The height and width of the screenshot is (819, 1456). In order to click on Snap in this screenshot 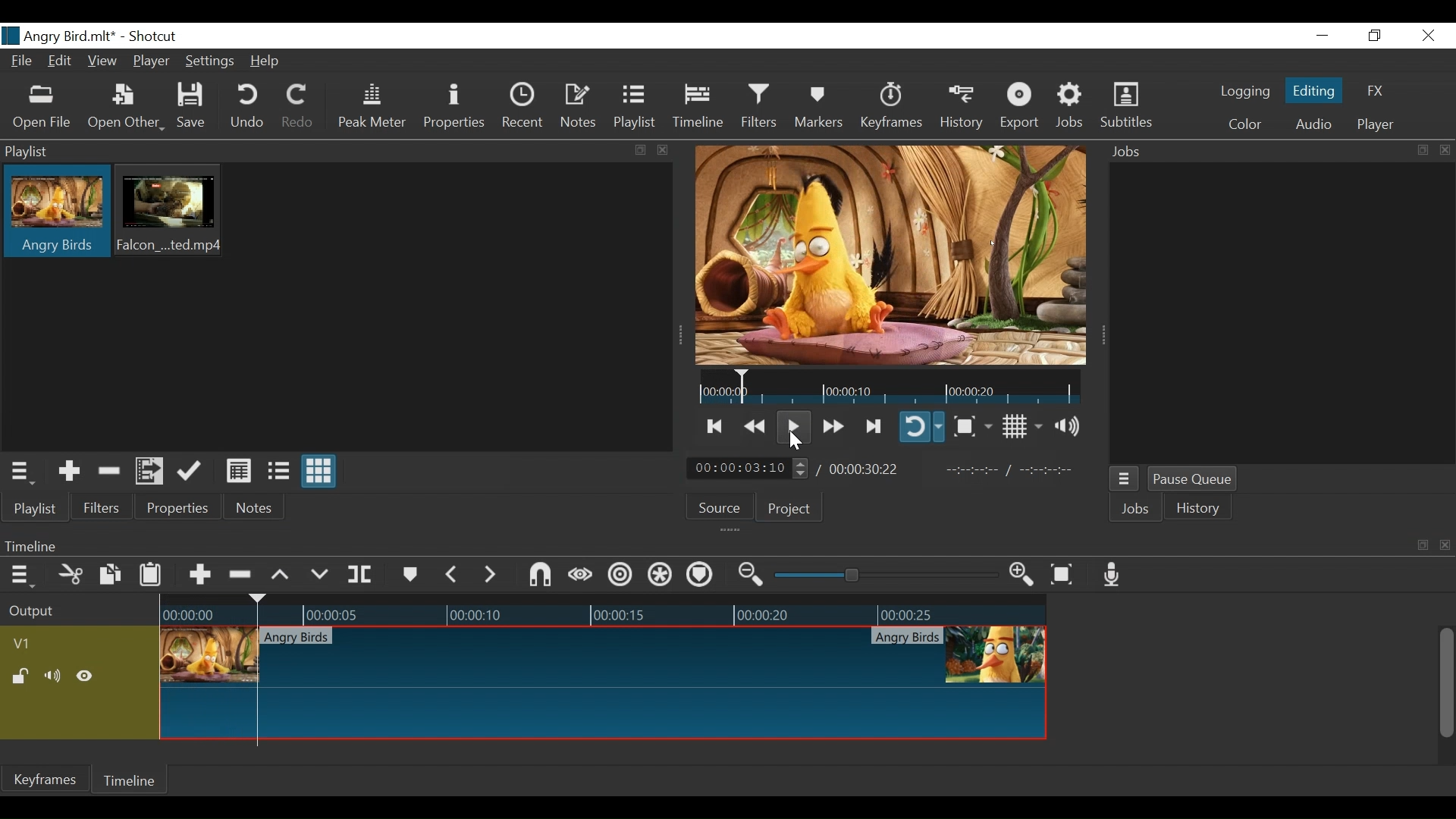, I will do `click(538, 576)`.